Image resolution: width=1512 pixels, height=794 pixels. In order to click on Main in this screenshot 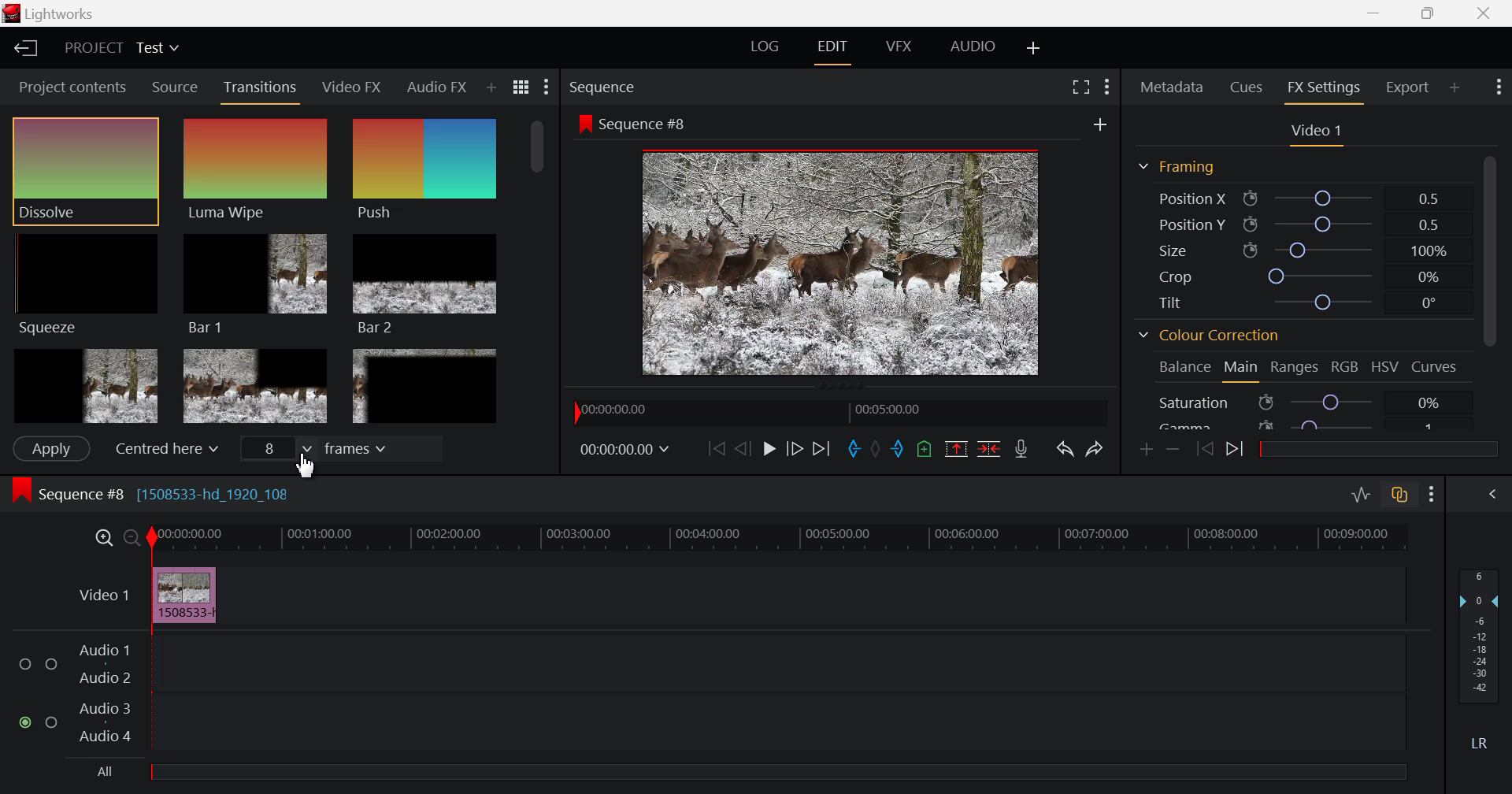, I will do `click(1241, 369)`.